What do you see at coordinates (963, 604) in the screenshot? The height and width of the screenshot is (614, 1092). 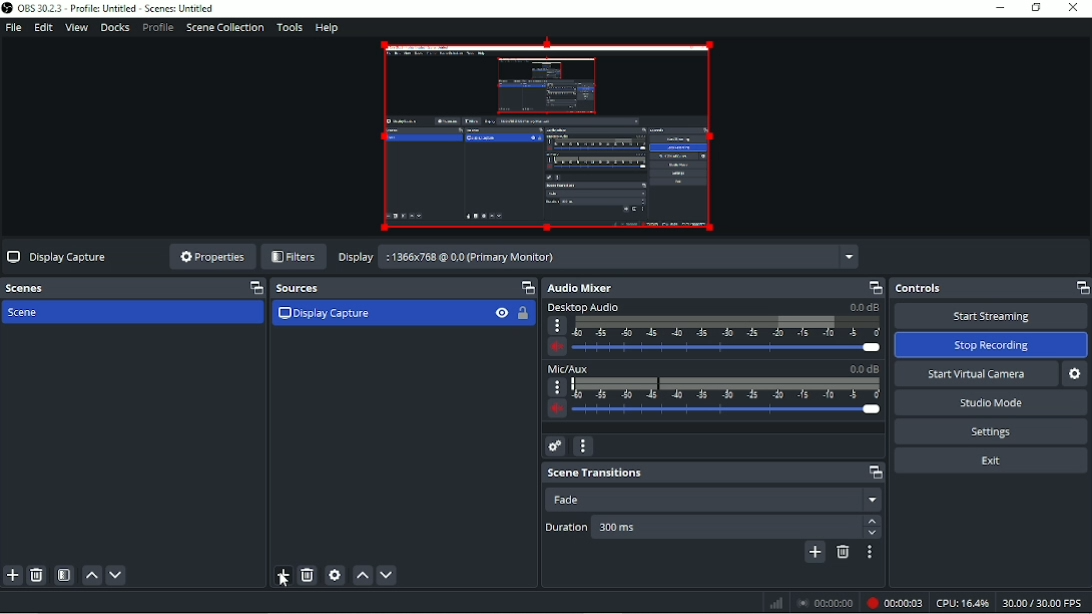 I see `CPU:16.4%` at bounding box center [963, 604].